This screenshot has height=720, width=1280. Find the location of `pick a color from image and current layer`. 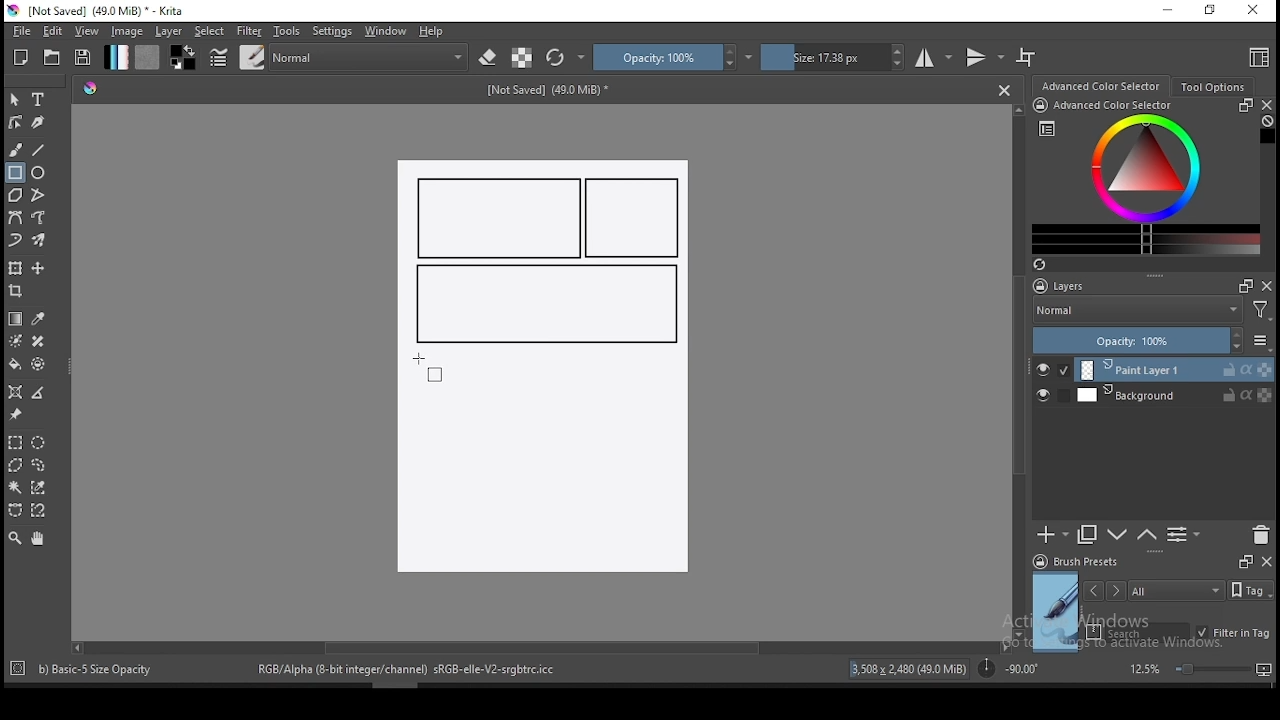

pick a color from image and current layer is located at coordinates (39, 319).